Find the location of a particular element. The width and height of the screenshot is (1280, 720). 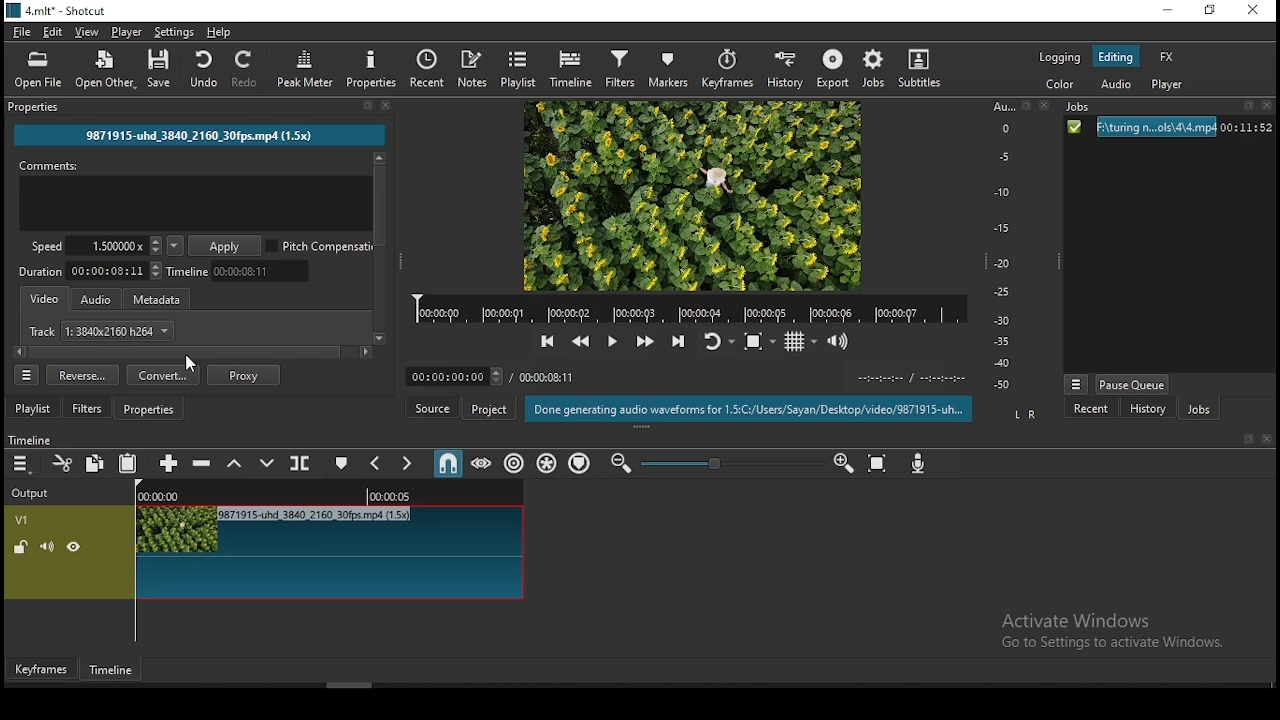

peak meter is located at coordinates (306, 68).